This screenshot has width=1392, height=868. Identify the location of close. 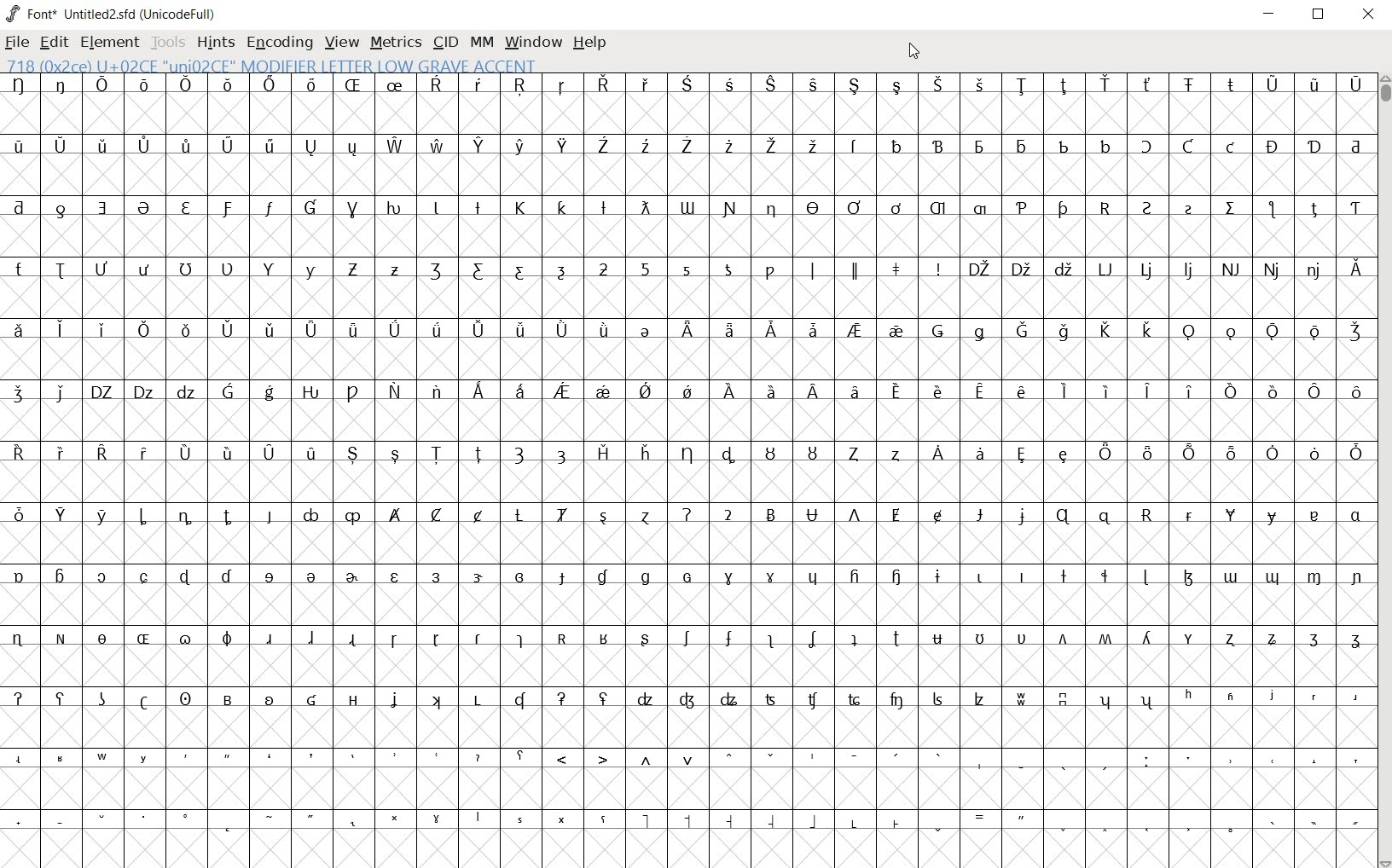
(1369, 14).